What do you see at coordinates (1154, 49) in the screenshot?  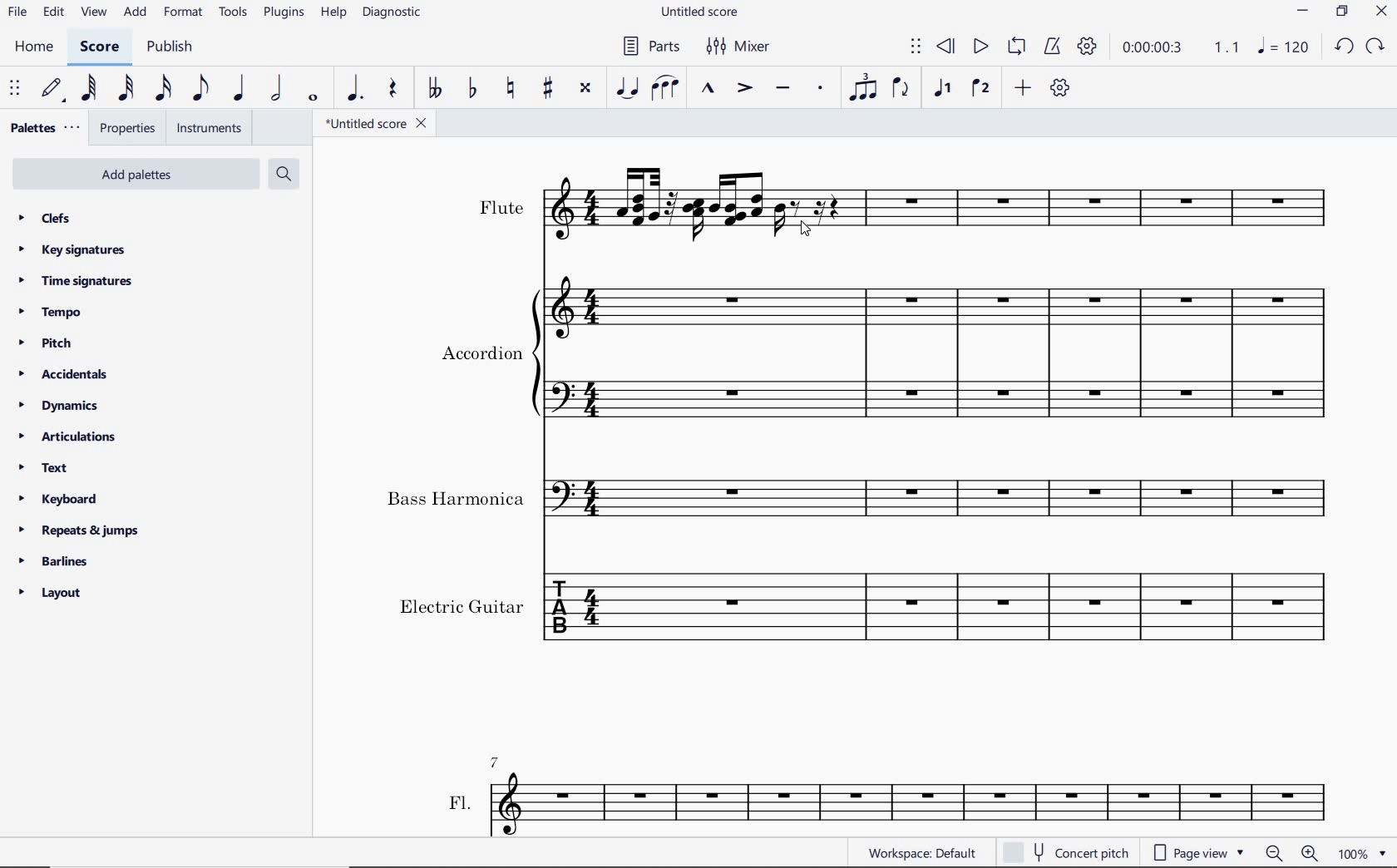 I see `playback time` at bounding box center [1154, 49].